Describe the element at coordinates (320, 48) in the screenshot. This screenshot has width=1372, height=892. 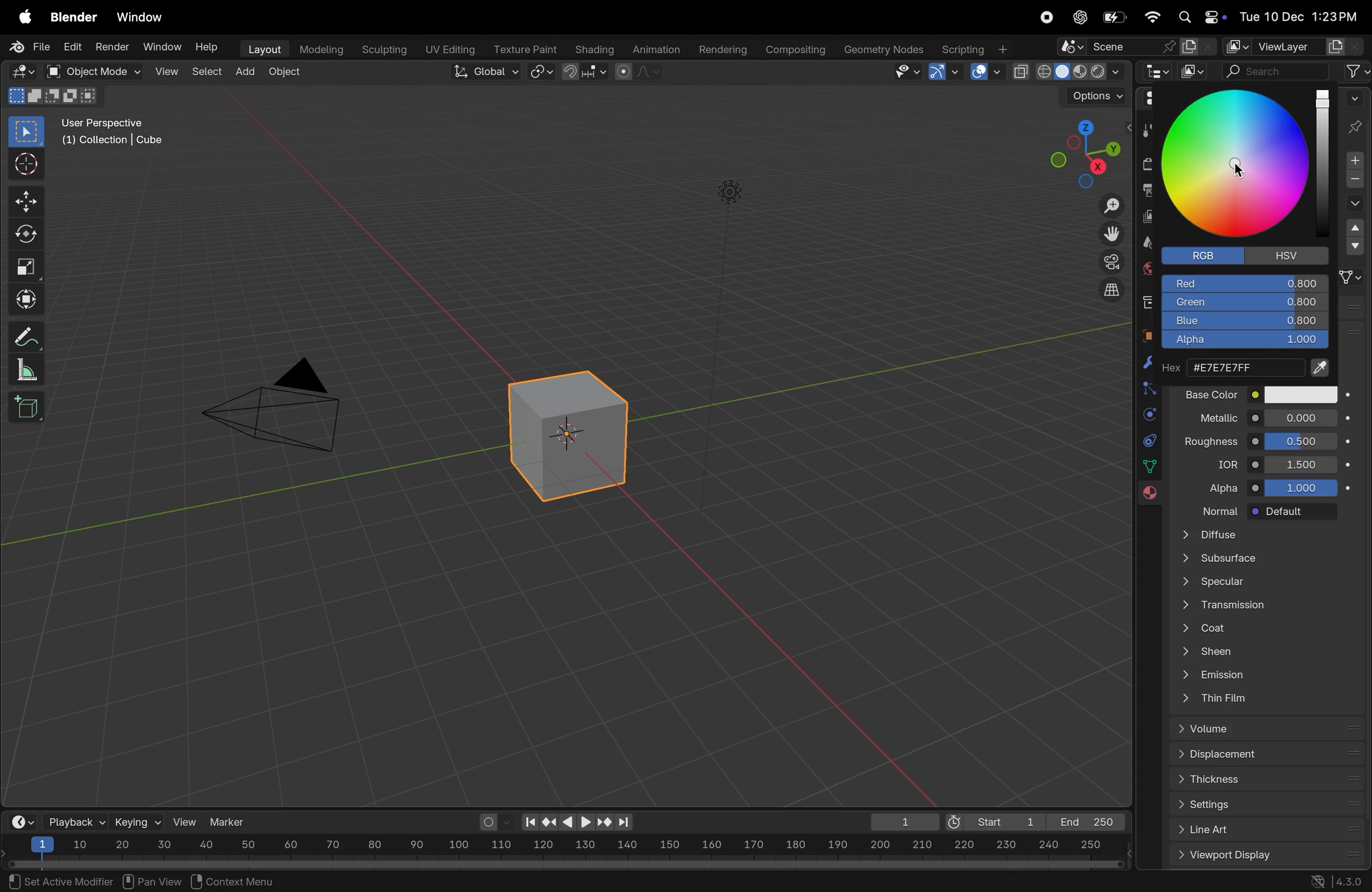
I see `modelling` at that location.